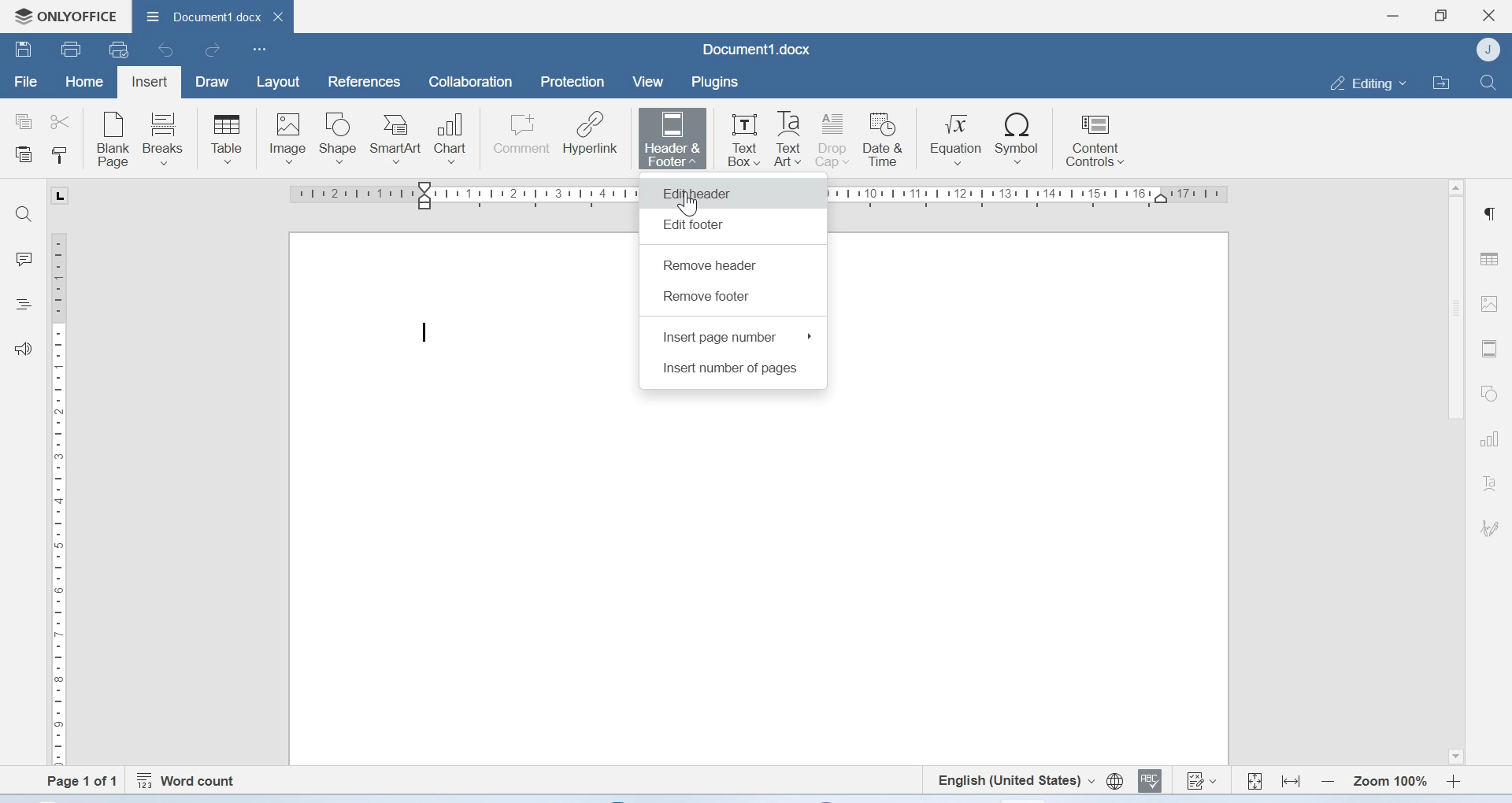 The image size is (1512, 803). Describe the element at coordinates (226, 138) in the screenshot. I see `Table` at that location.